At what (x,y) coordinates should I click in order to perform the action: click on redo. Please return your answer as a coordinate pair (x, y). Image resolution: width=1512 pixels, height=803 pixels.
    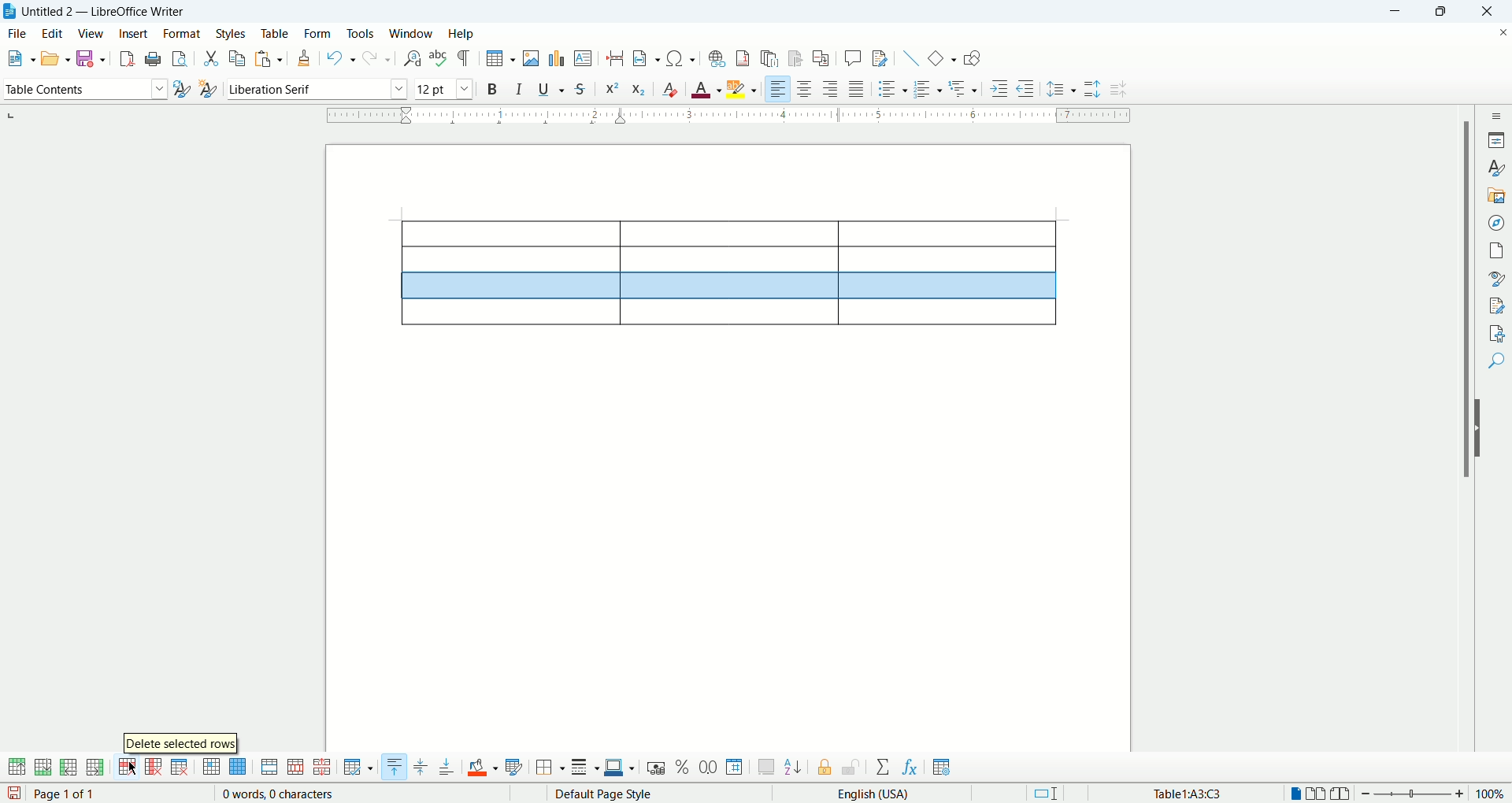
    Looking at the image, I should click on (376, 59).